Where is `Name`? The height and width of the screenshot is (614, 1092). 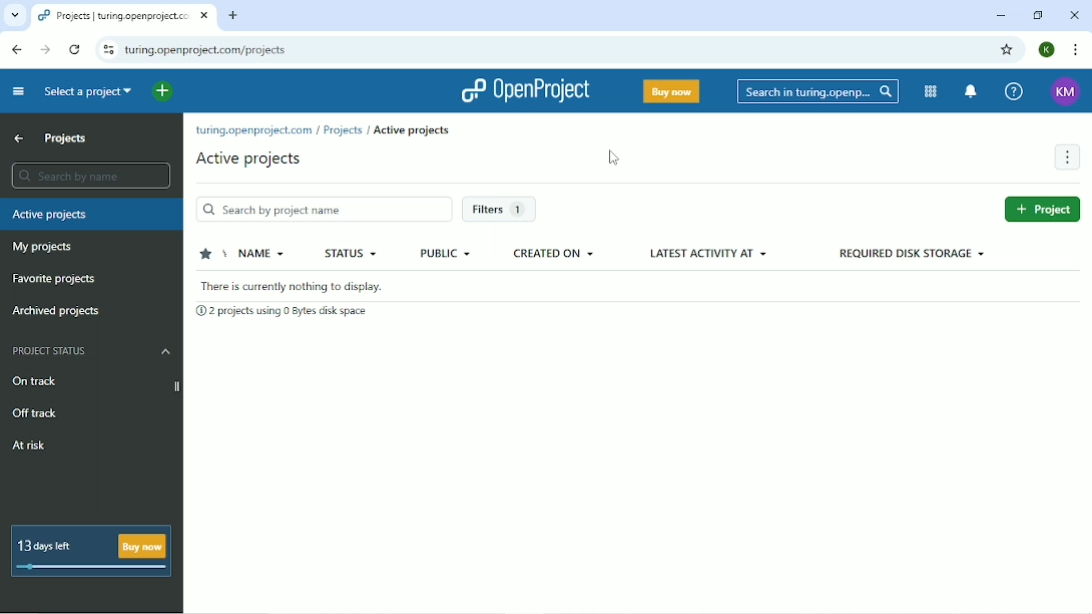 Name is located at coordinates (269, 253).